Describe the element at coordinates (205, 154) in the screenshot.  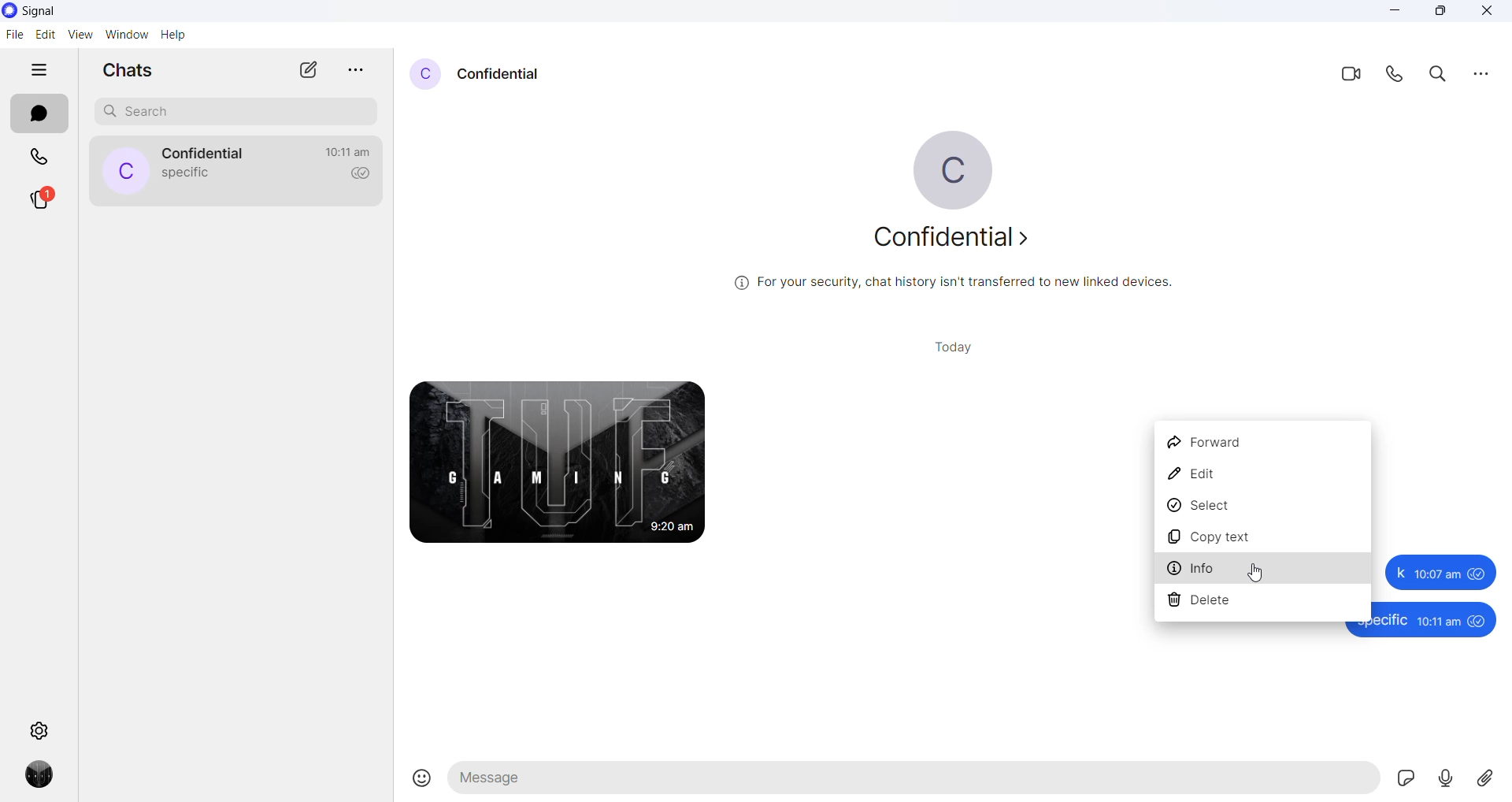
I see `contact name` at that location.